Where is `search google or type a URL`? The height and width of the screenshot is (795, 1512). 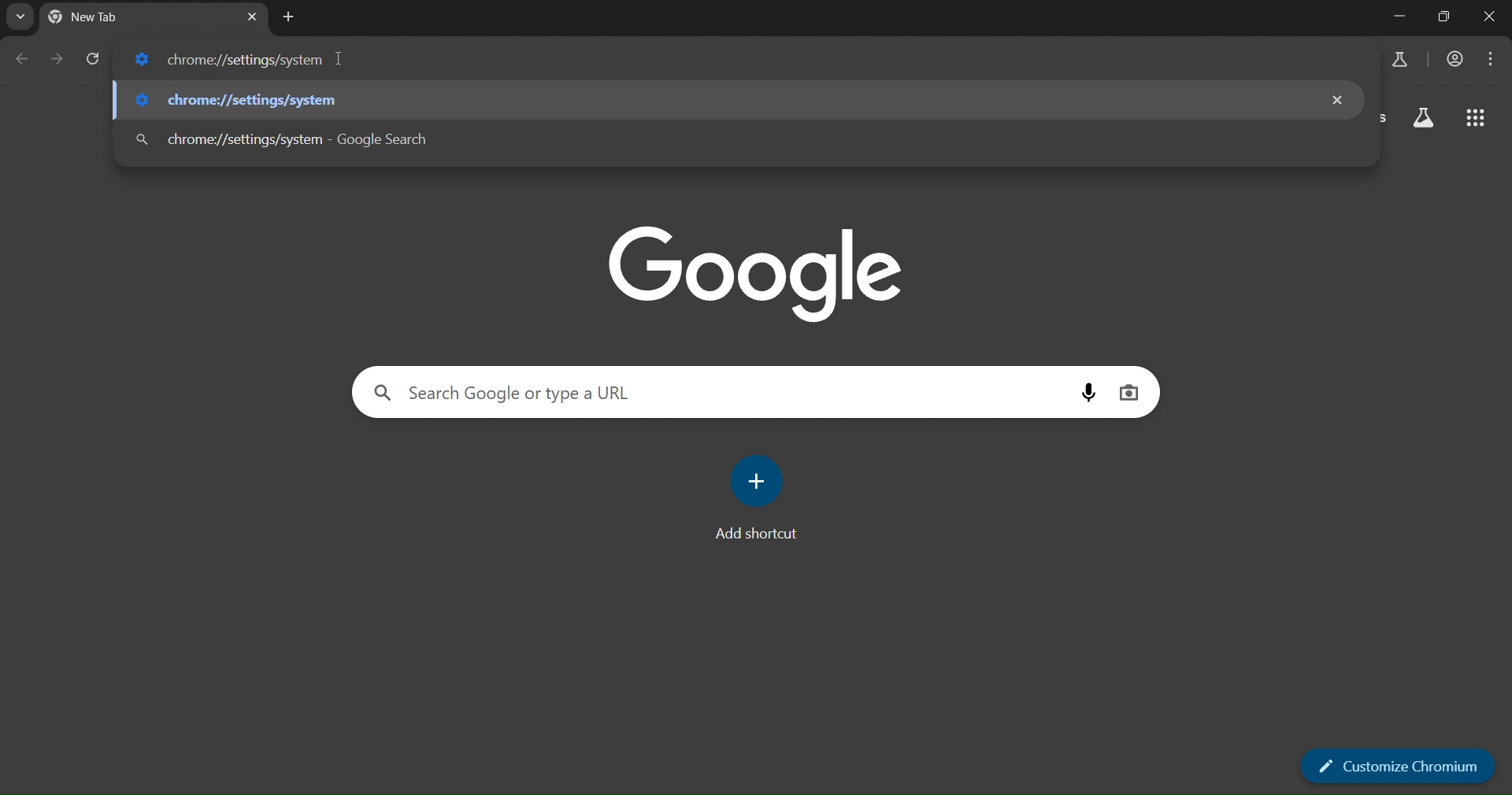 search google or type a URL is located at coordinates (524, 389).